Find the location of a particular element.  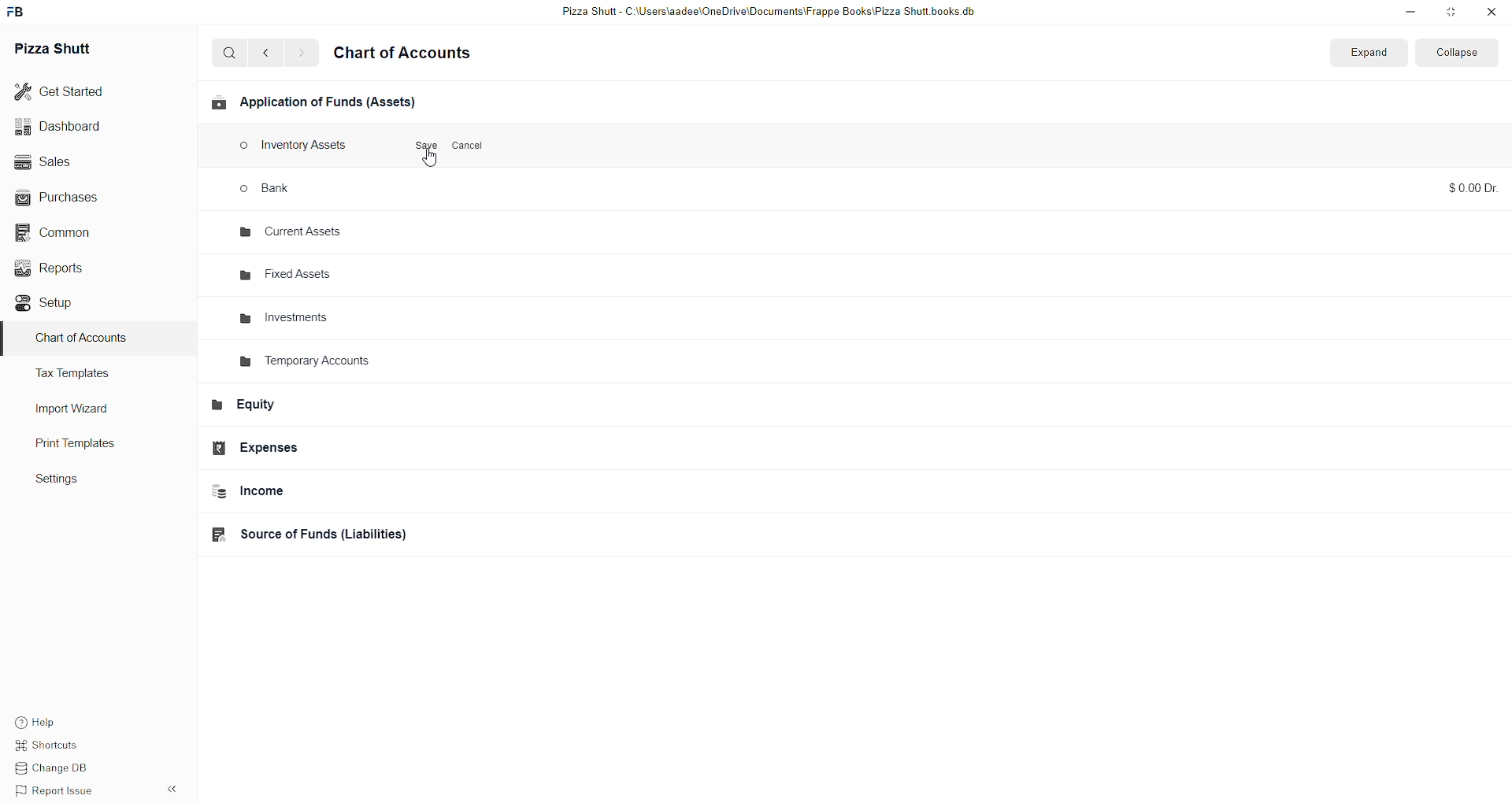

Charts of Accounts  is located at coordinates (83, 342).